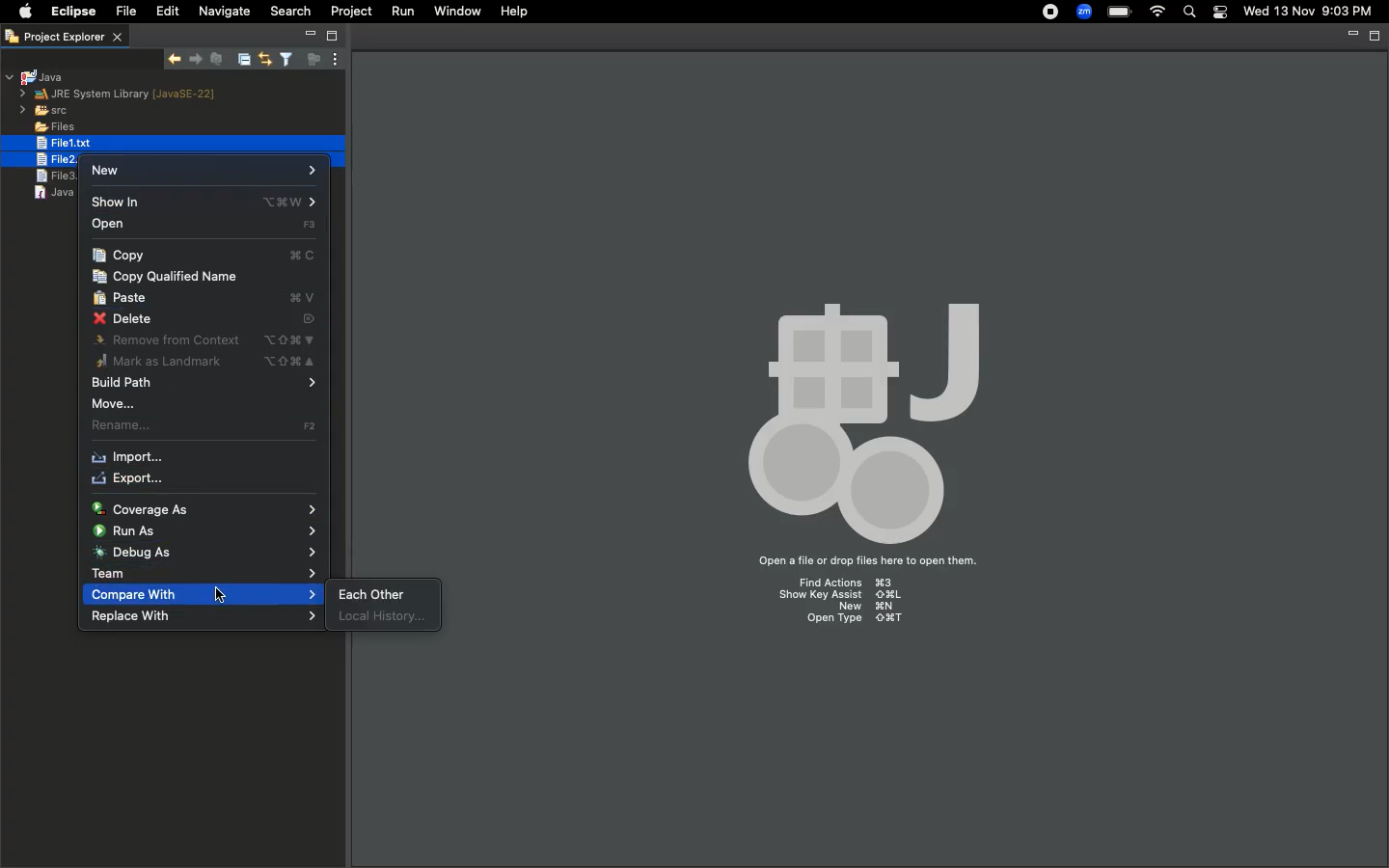 This screenshot has width=1389, height=868. I want to click on Debug as, so click(208, 552).